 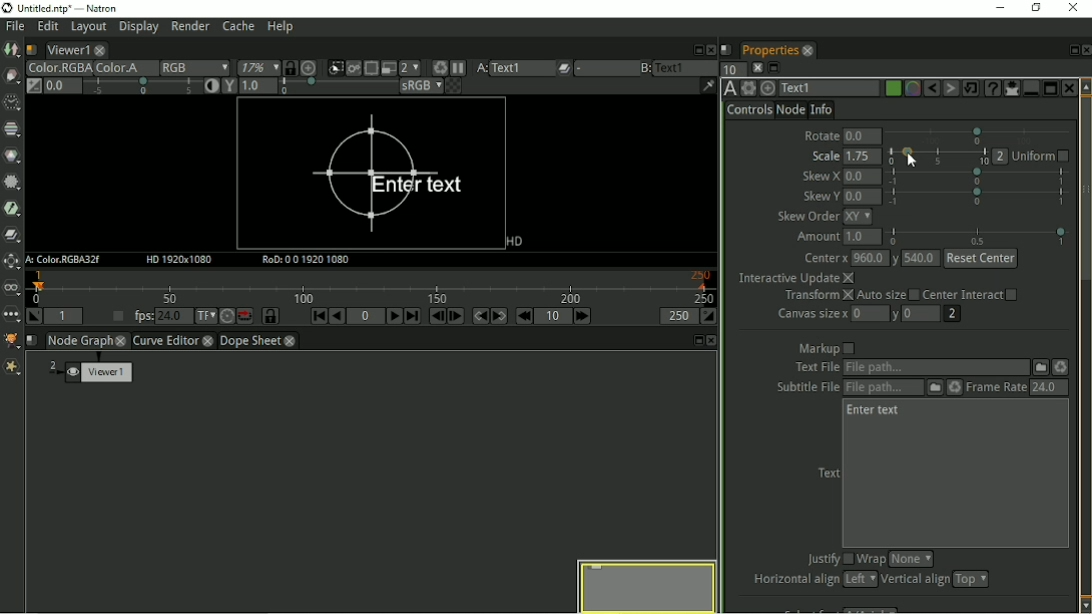 What do you see at coordinates (1086, 49) in the screenshot?
I see `Close` at bounding box center [1086, 49].